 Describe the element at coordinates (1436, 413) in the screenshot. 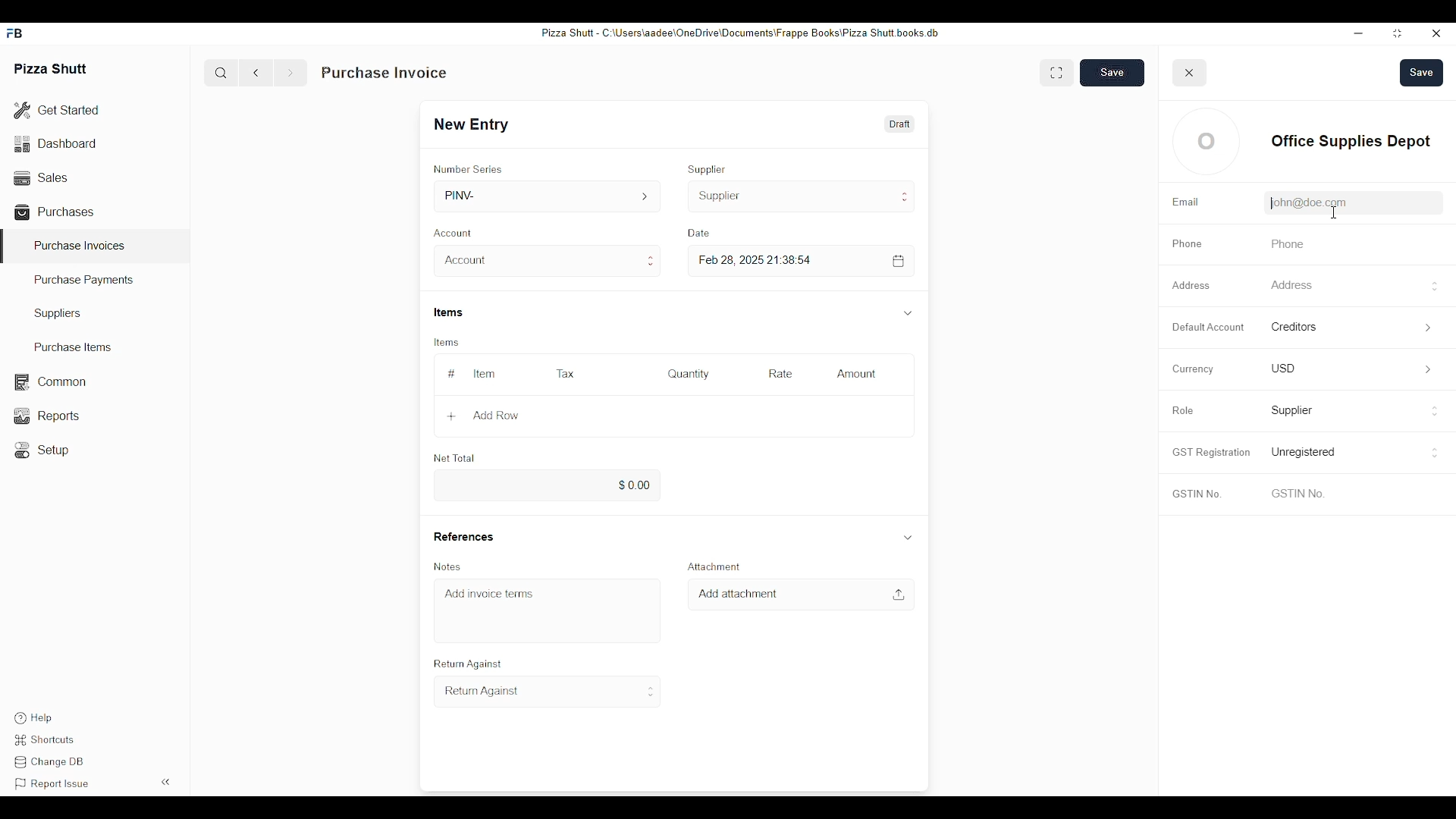

I see `buttons` at that location.